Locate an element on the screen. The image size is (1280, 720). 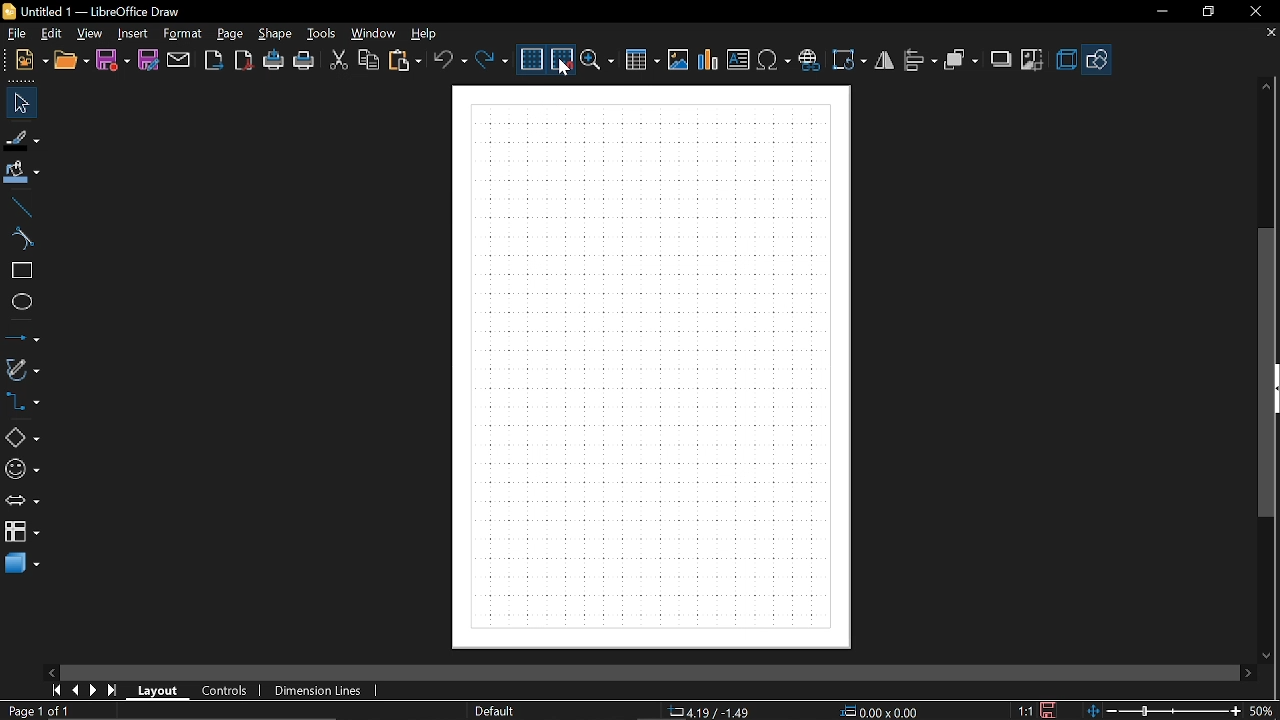
curves and polygons is located at coordinates (22, 370).